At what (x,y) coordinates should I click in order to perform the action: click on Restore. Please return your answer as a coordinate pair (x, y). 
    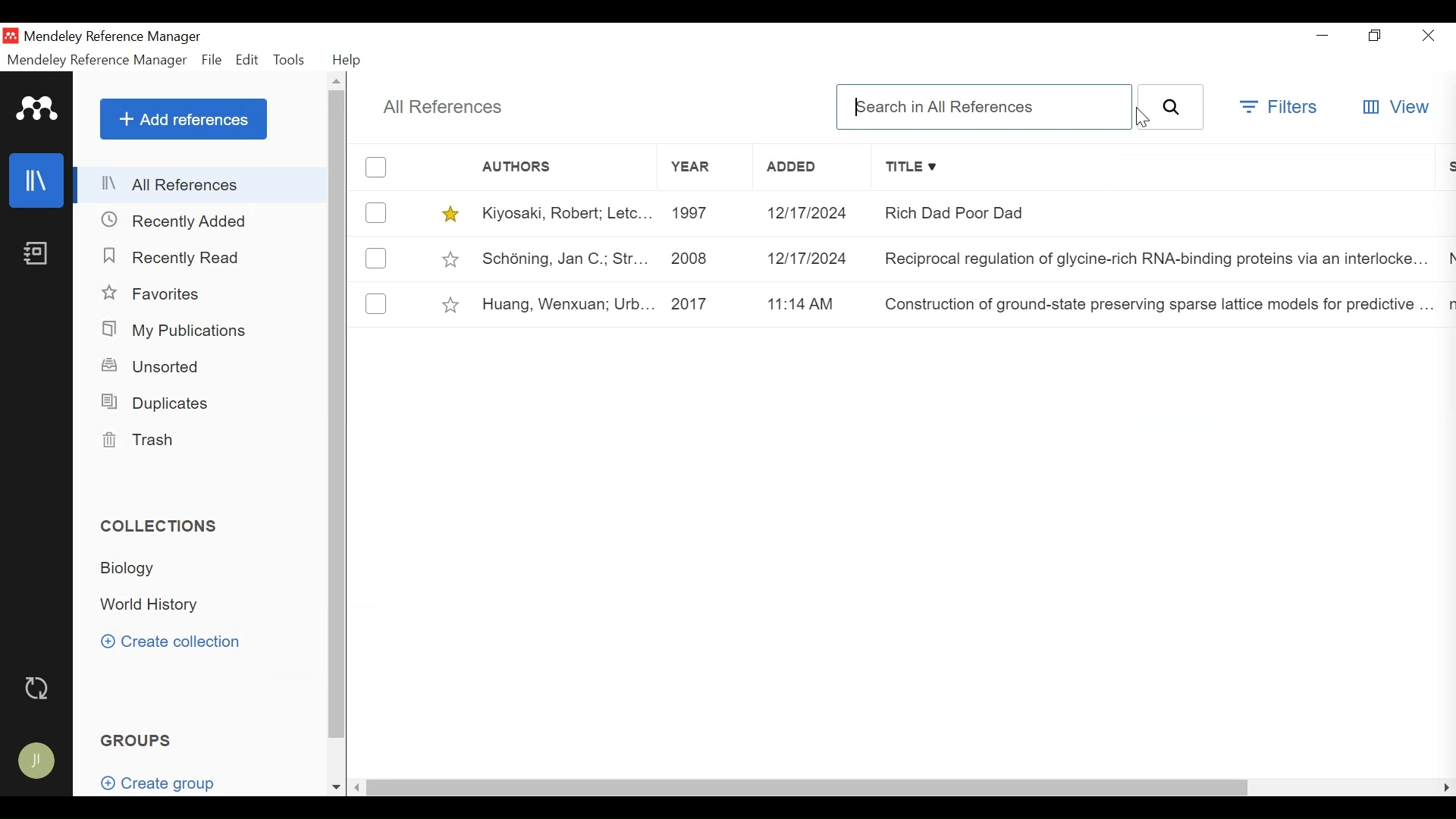
    Looking at the image, I should click on (1375, 36).